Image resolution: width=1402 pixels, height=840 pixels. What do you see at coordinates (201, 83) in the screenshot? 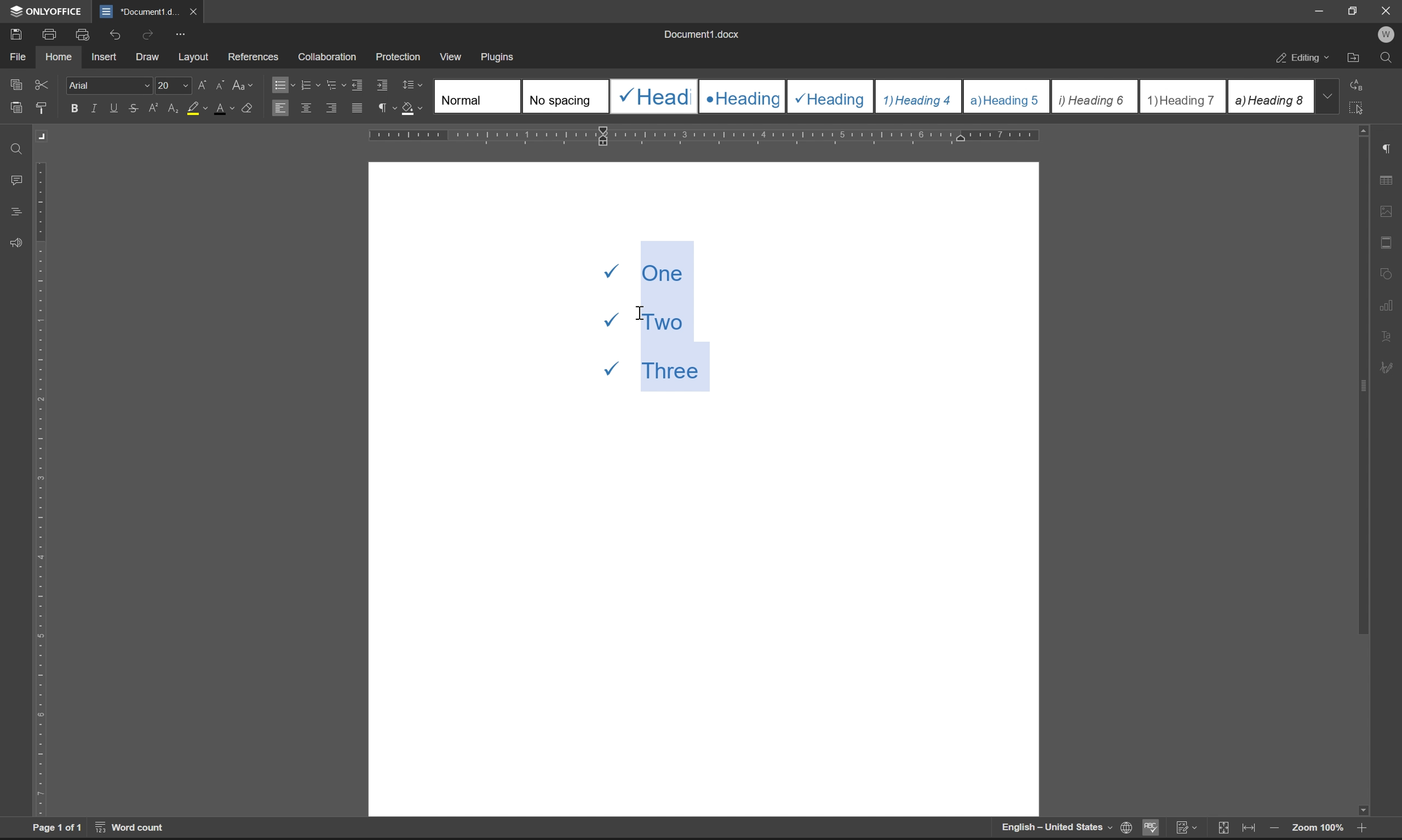
I see `increment font case` at bounding box center [201, 83].